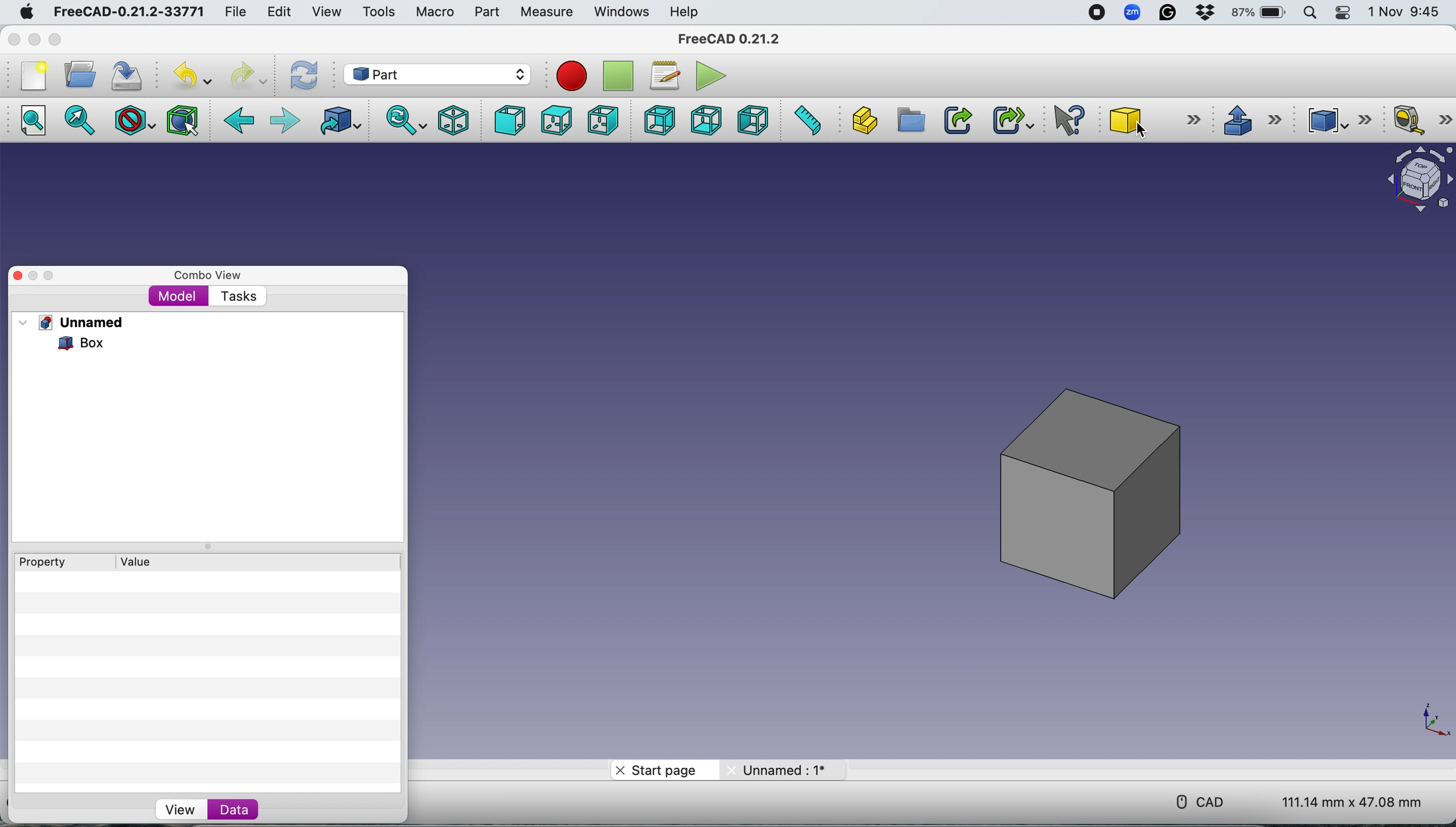 The height and width of the screenshot is (827, 1456). Describe the element at coordinates (209, 275) in the screenshot. I see `Combo view` at that location.